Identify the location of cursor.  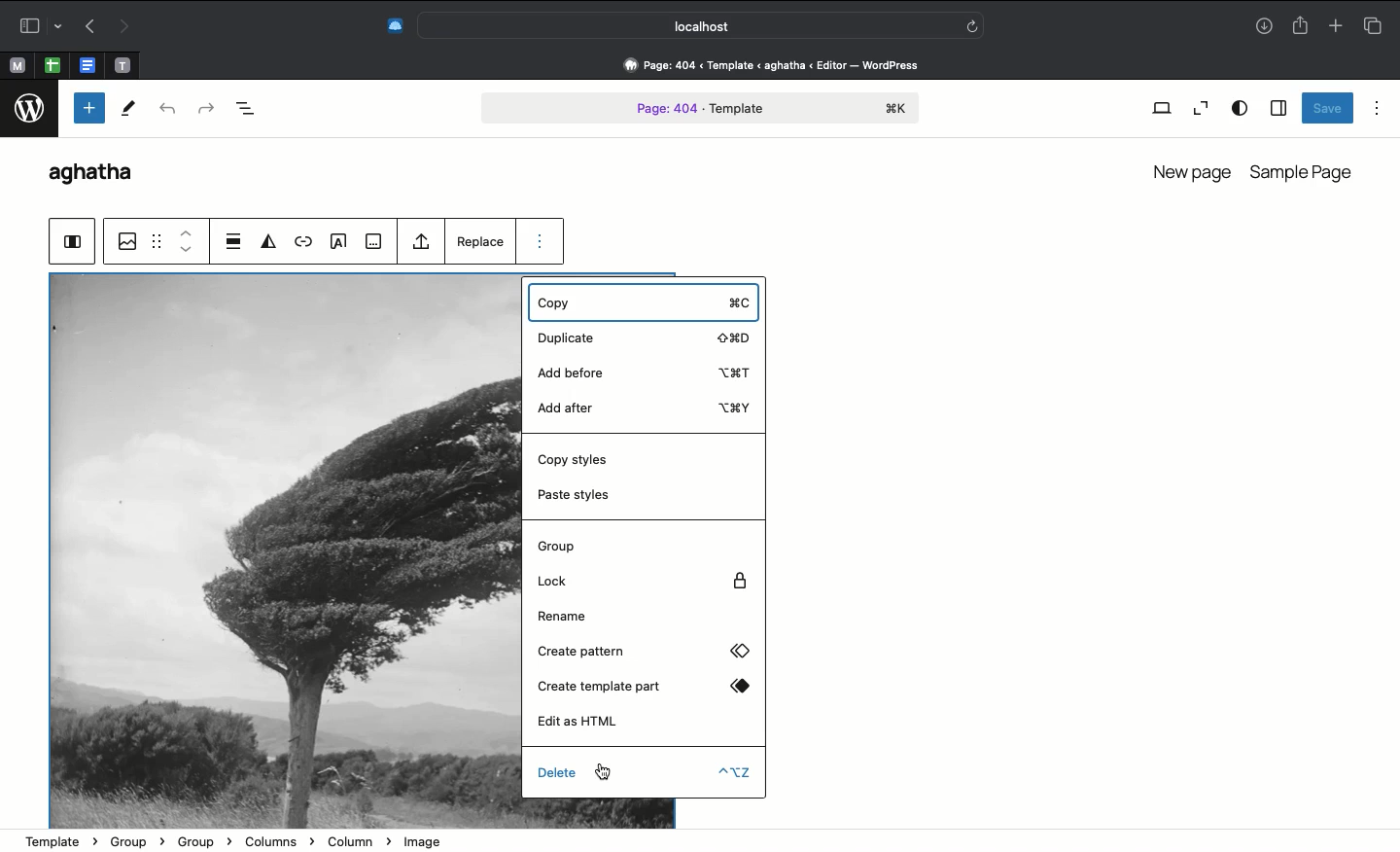
(602, 772).